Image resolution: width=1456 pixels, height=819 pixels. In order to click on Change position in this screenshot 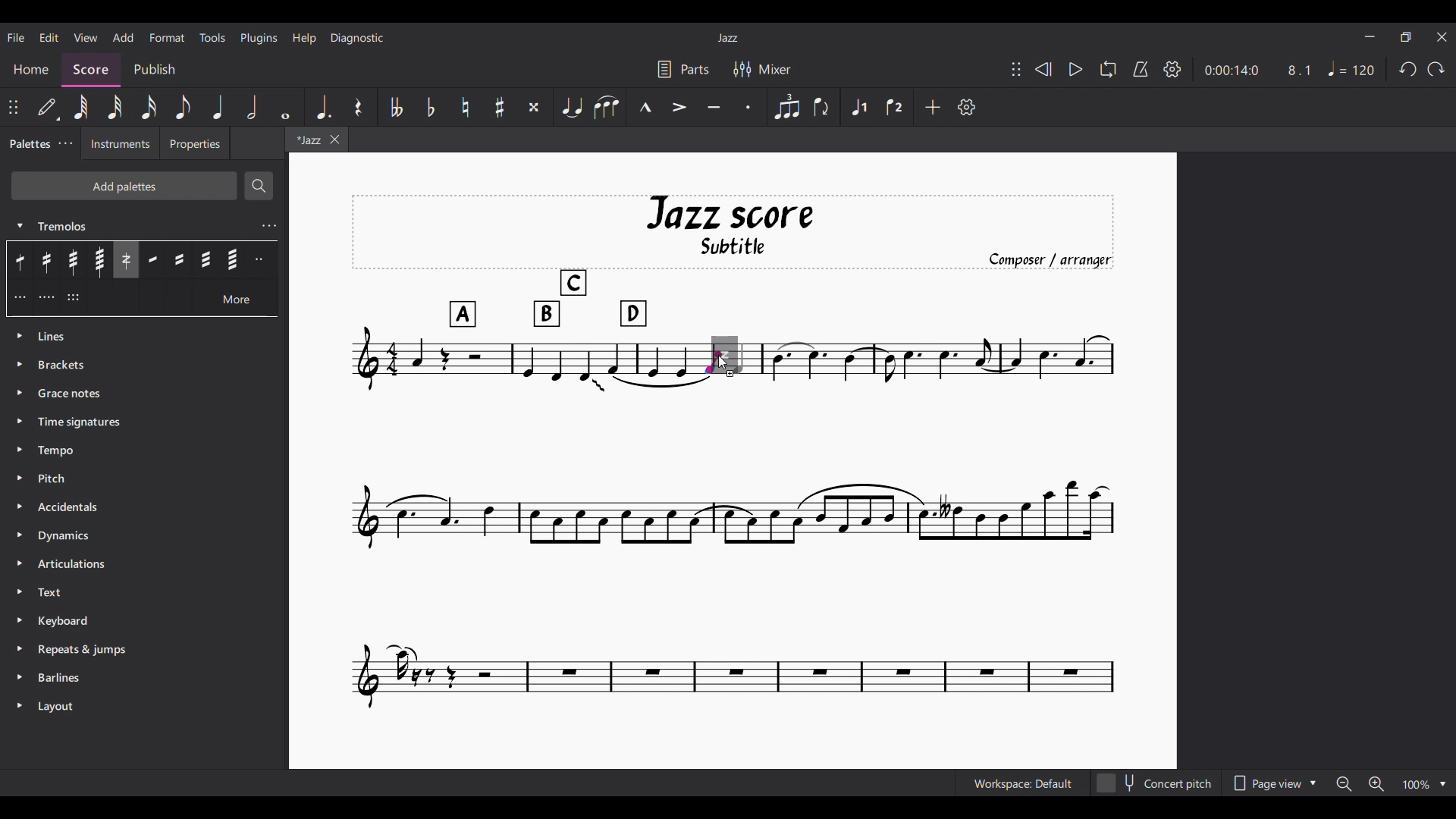, I will do `click(13, 107)`.